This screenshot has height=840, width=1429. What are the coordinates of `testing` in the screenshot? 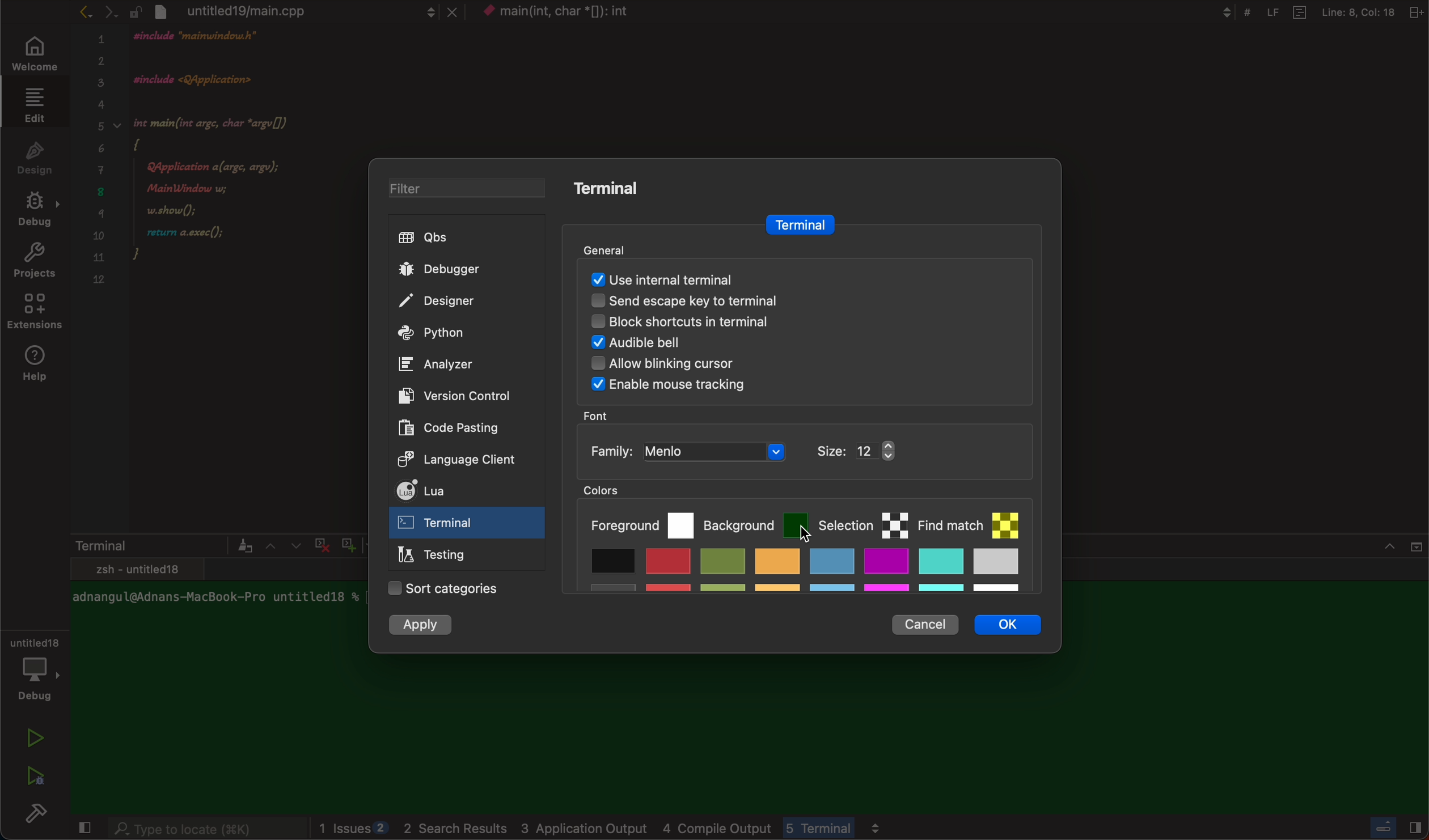 It's located at (437, 557).